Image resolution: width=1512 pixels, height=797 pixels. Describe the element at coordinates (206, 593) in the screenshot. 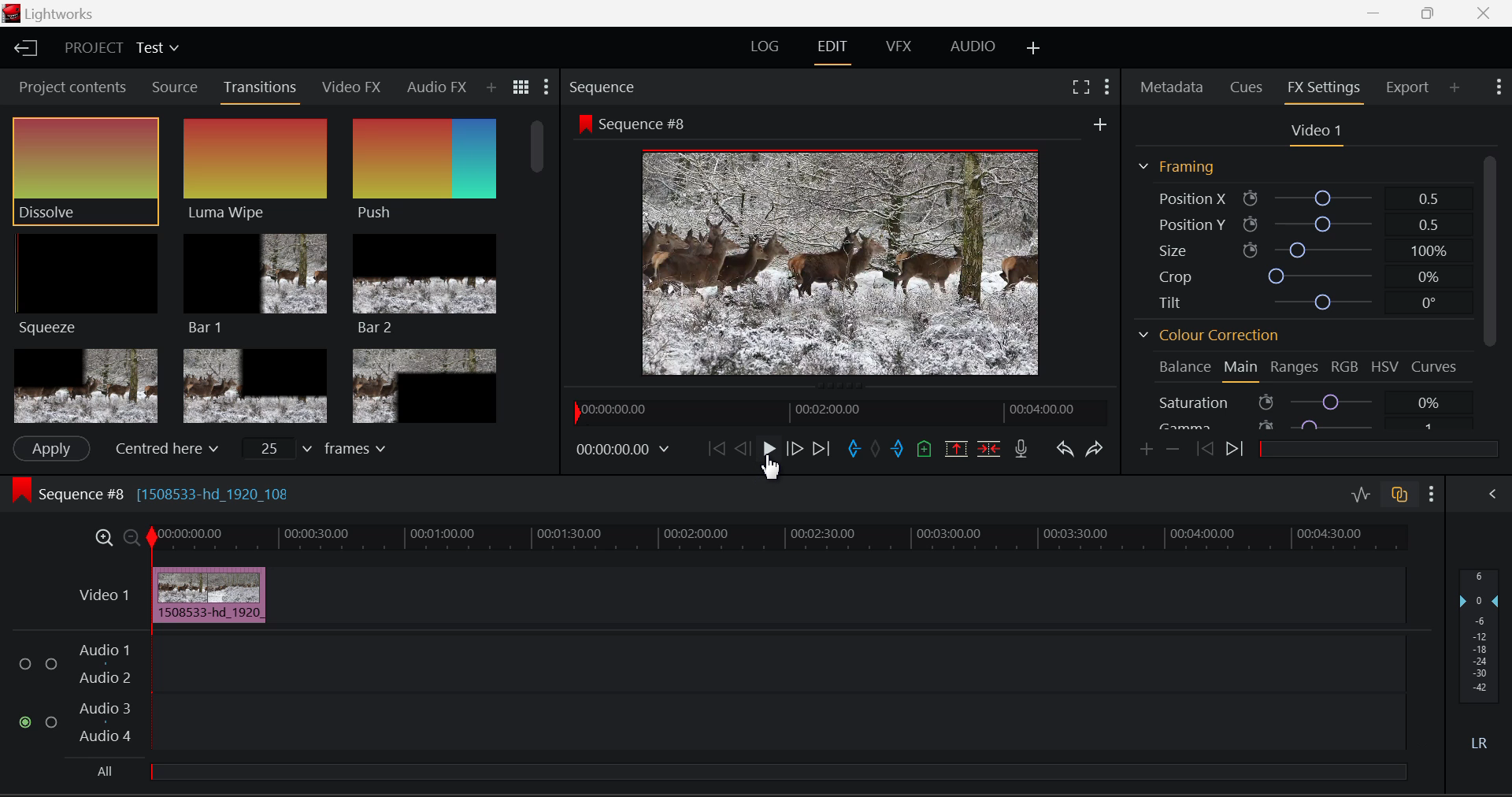

I see `Clip Inserted in Timeline` at that location.